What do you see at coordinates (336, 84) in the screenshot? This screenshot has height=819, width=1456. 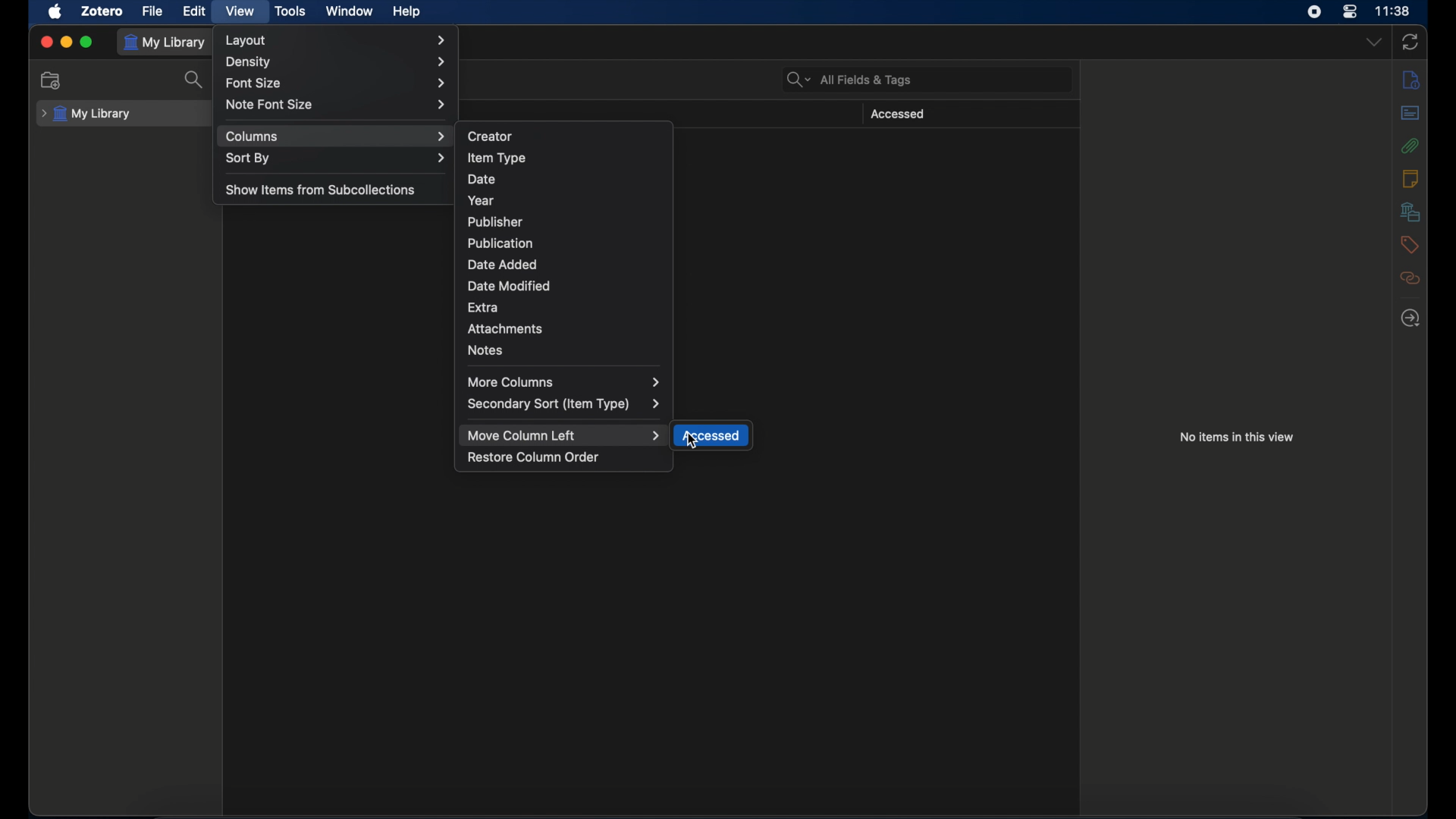 I see `font size` at bounding box center [336, 84].